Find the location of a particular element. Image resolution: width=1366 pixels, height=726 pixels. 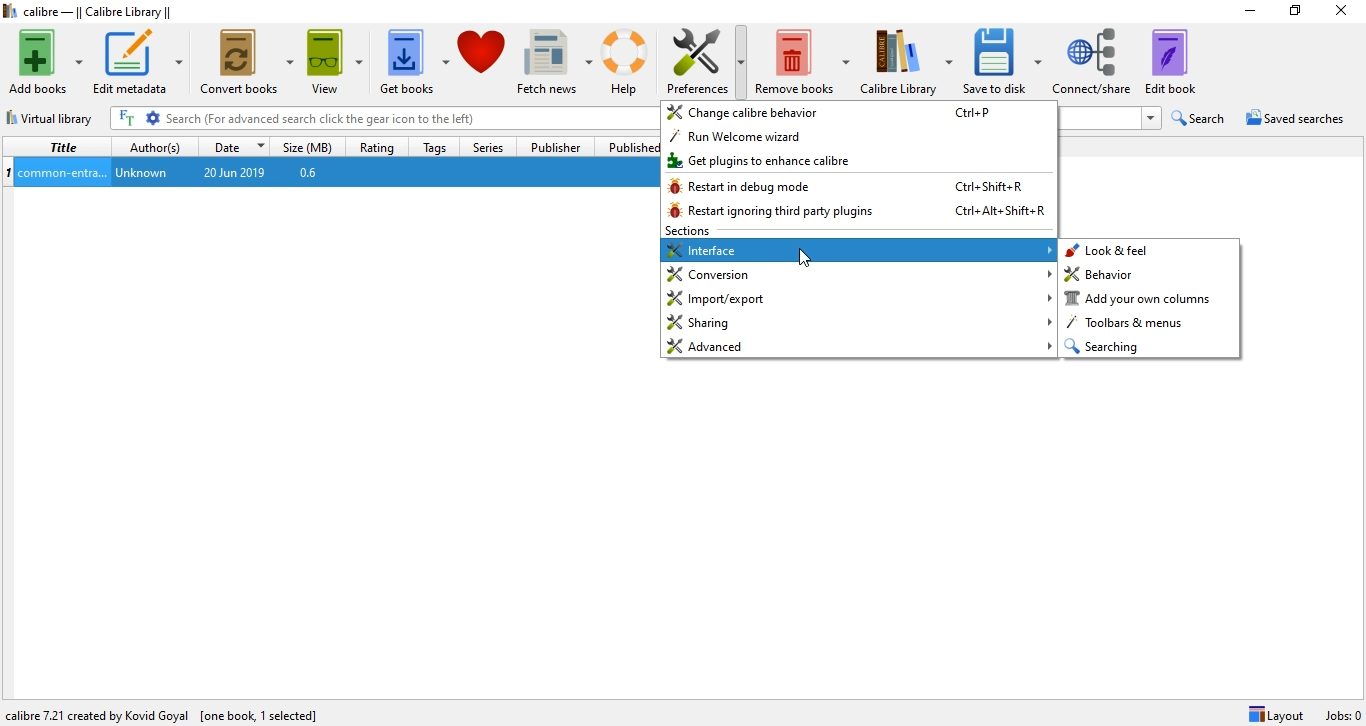

sections is located at coordinates (689, 231).